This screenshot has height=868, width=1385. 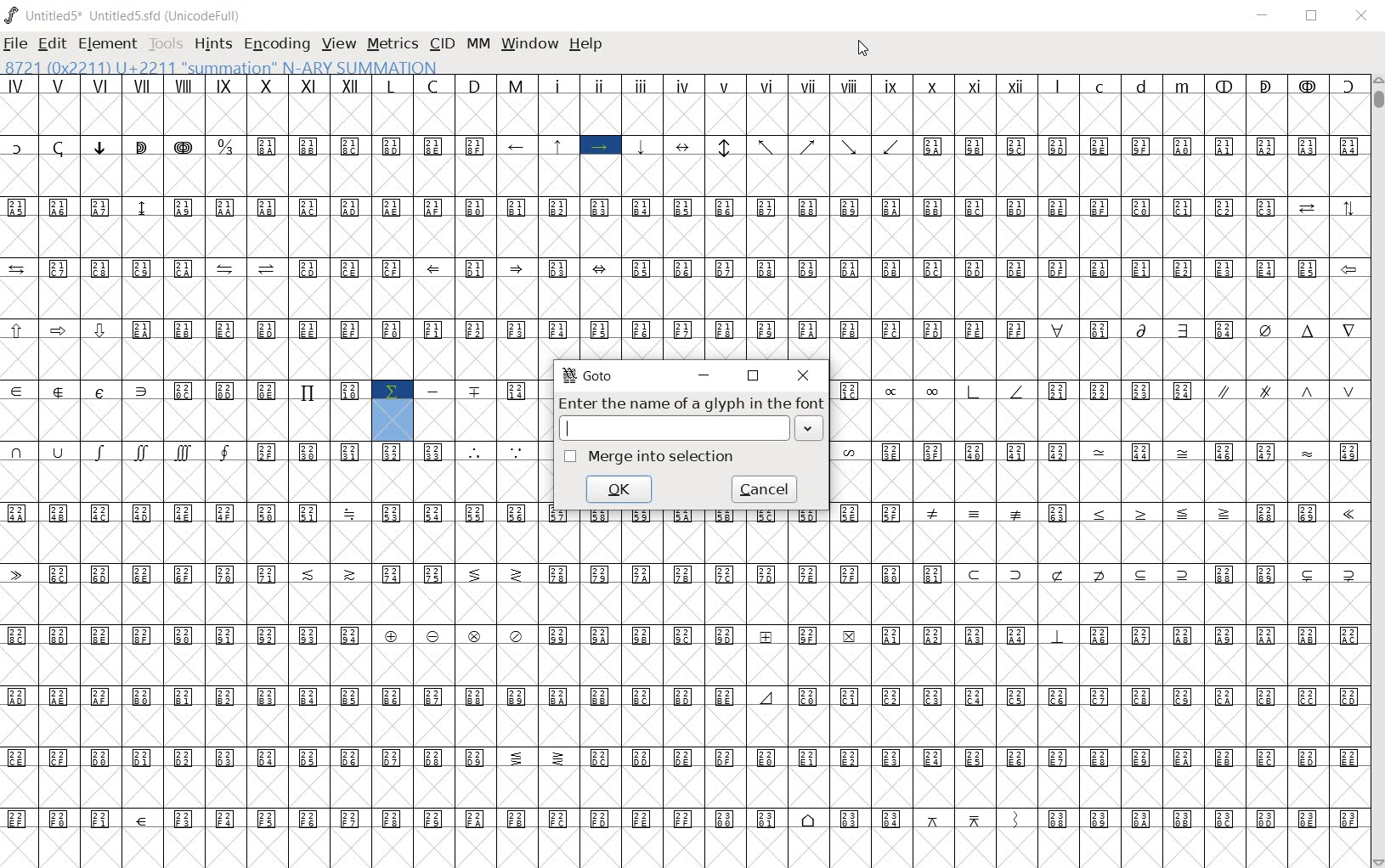 I want to click on special symbols, so click(x=688, y=206).